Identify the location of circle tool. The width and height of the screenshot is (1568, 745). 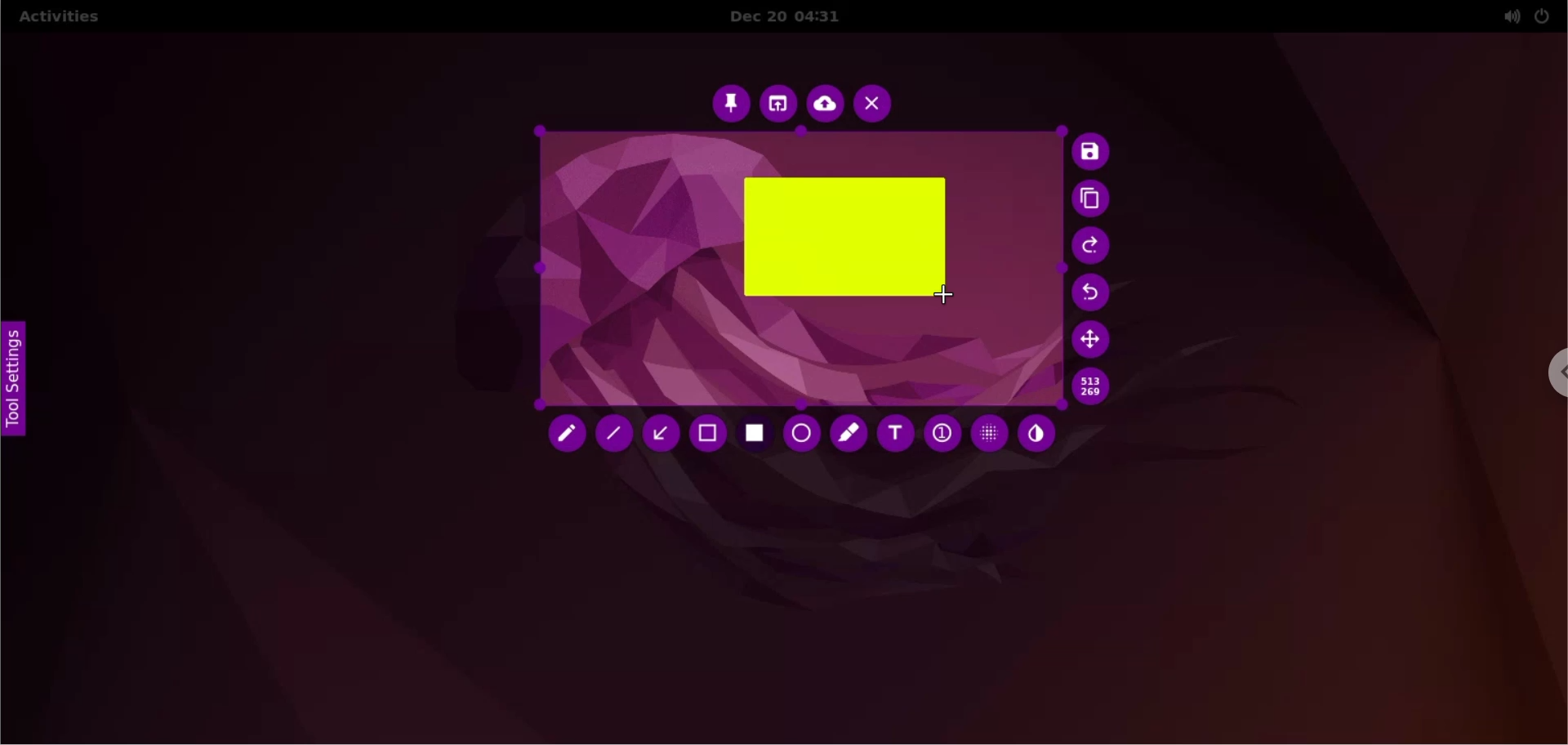
(801, 434).